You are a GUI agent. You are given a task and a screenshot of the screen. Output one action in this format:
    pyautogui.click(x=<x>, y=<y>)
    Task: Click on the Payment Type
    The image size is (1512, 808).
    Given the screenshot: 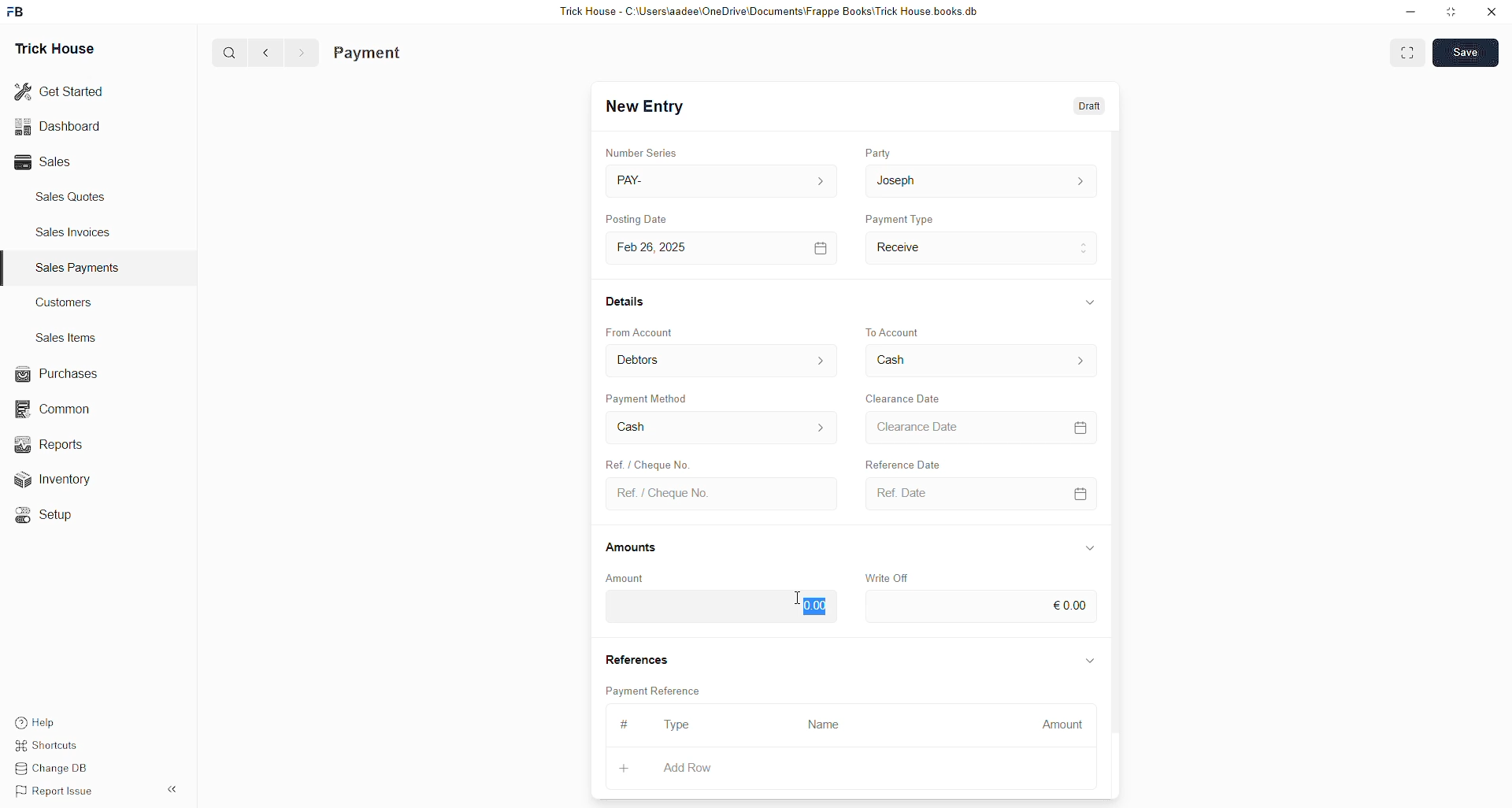 What is the action you would take?
    pyautogui.click(x=982, y=249)
    